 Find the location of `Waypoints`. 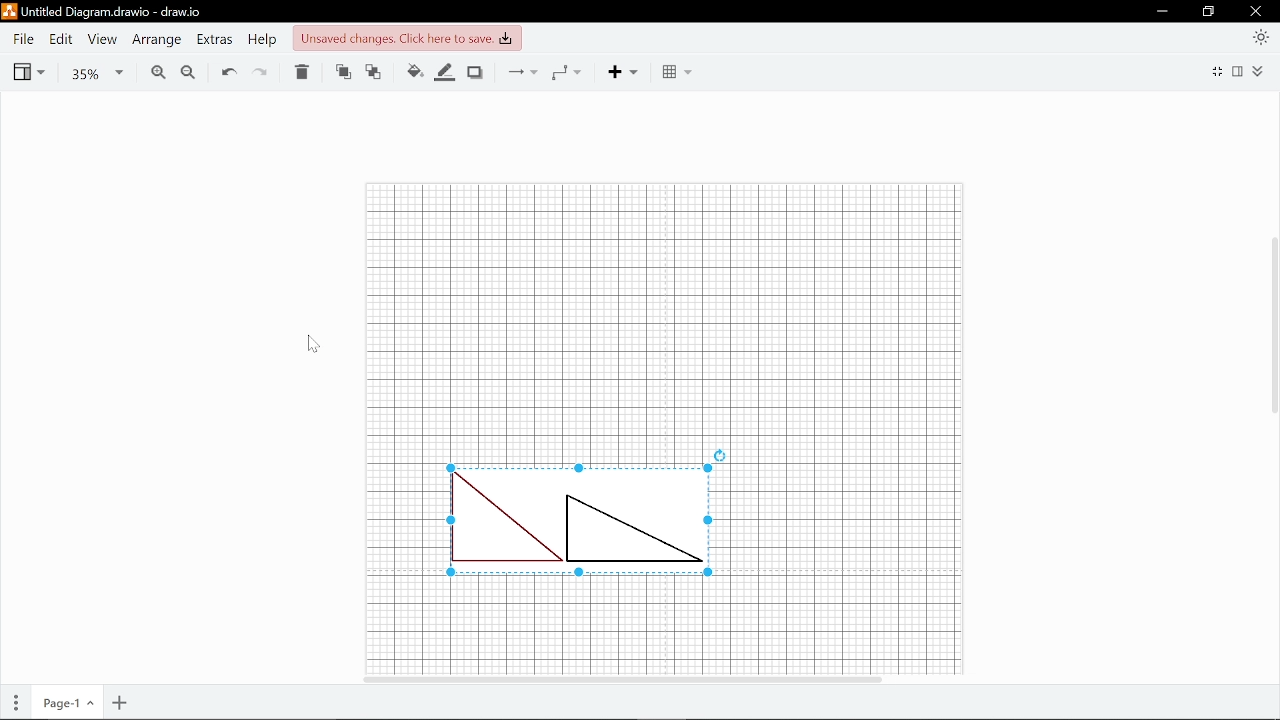

Waypoints is located at coordinates (565, 72).